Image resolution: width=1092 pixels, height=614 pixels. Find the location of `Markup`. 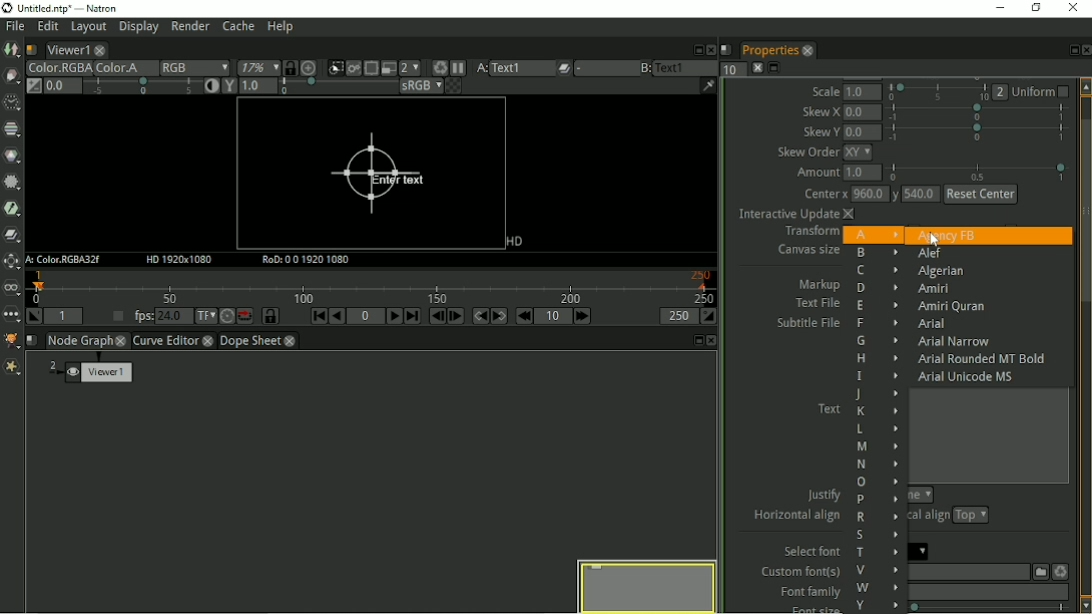

Markup is located at coordinates (820, 284).